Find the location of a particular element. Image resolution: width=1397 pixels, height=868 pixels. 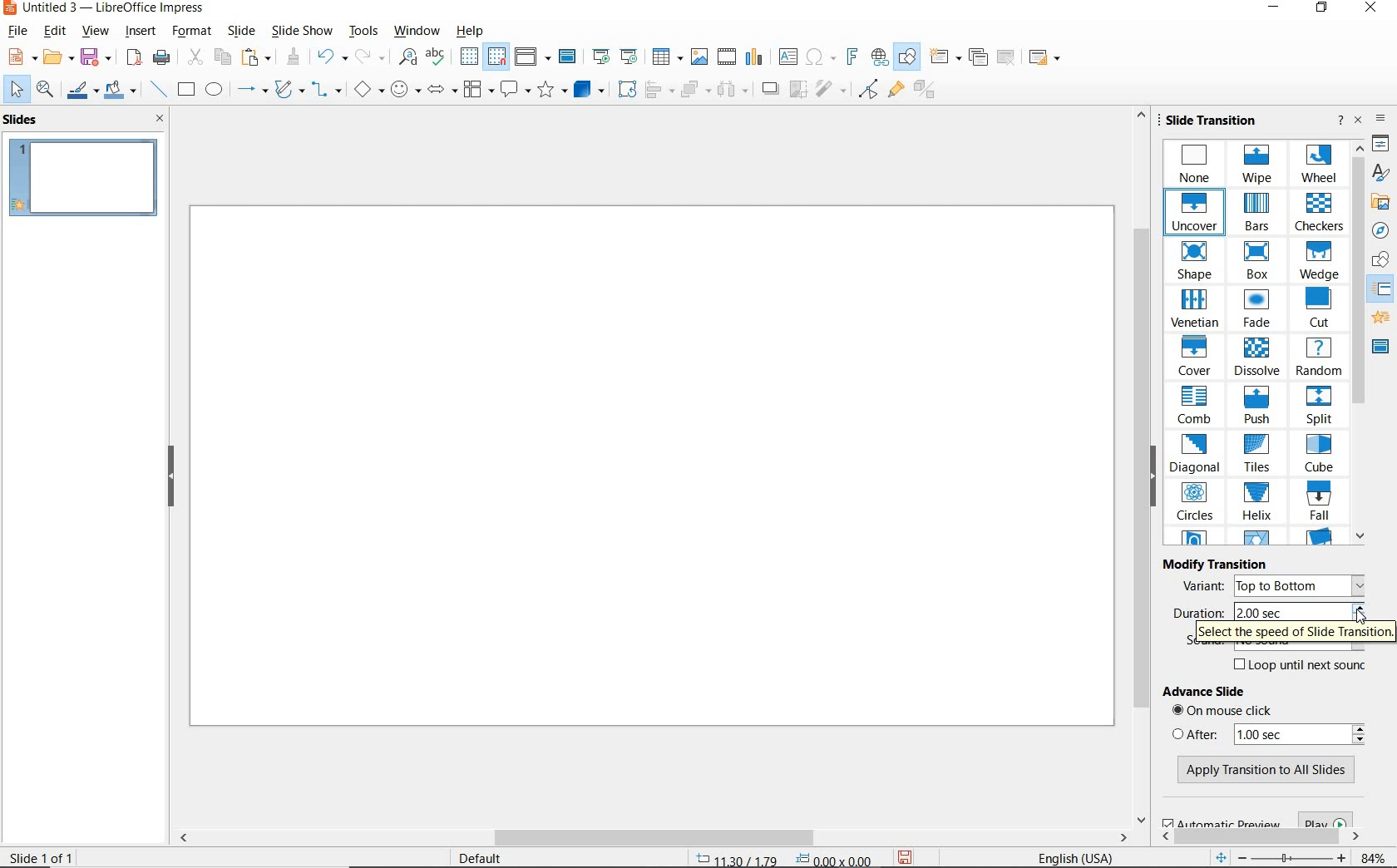

INSERT TEXT BOX is located at coordinates (787, 57).